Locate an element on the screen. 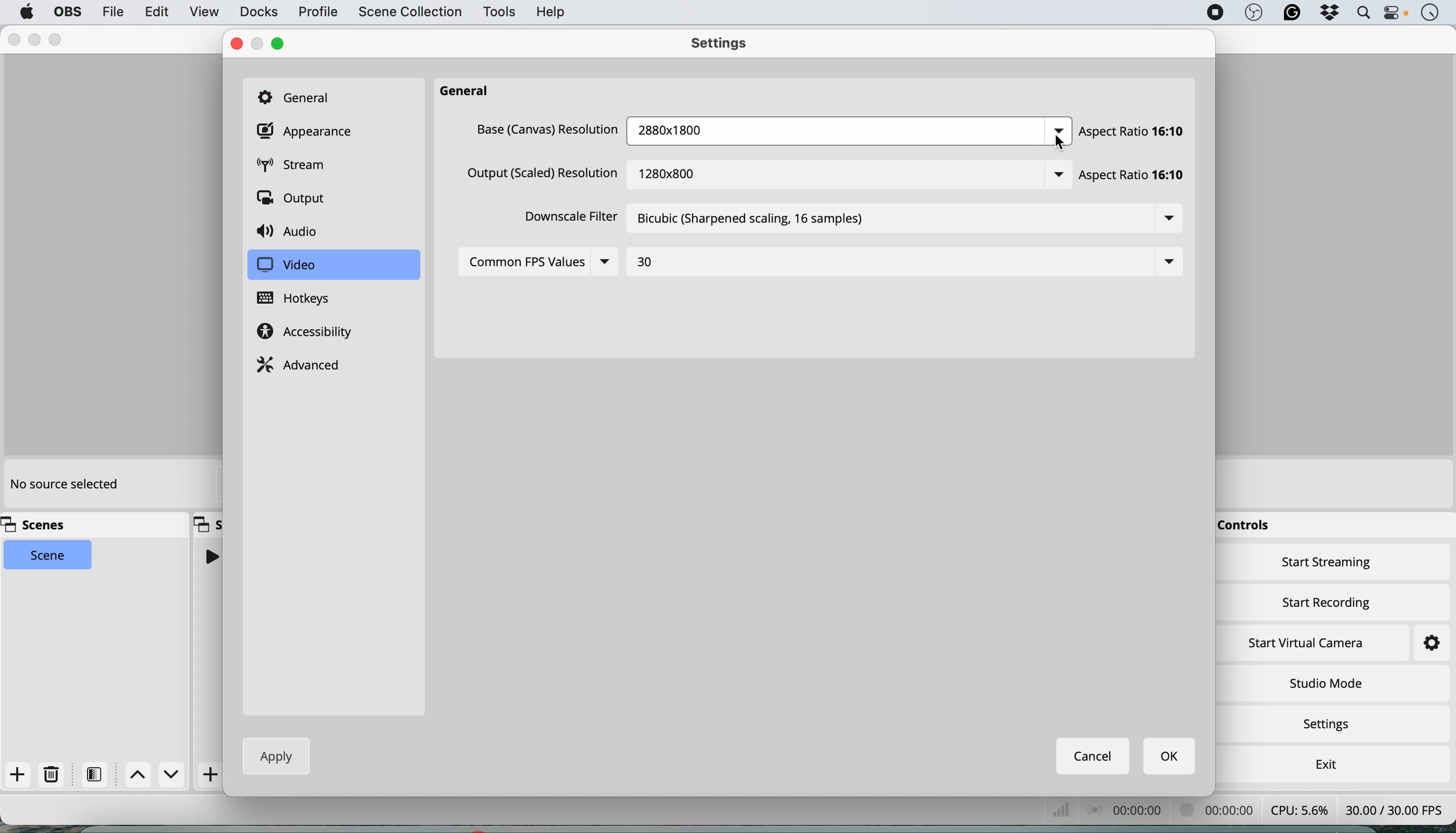 This screenshot has width=1456, height=833. dropbox is located at coordinates (1330, 14).